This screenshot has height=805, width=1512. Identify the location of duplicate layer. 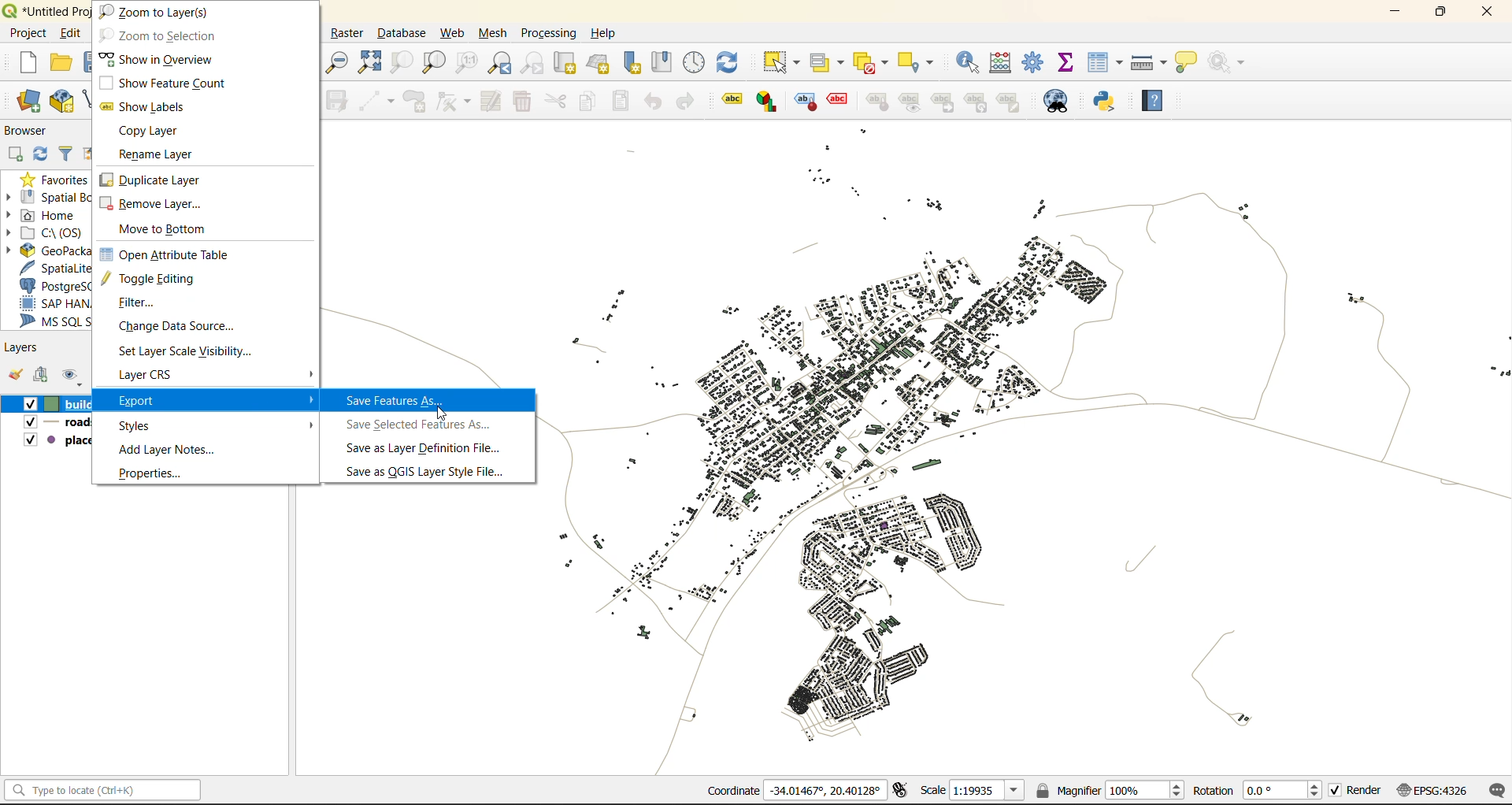
(154, 180).